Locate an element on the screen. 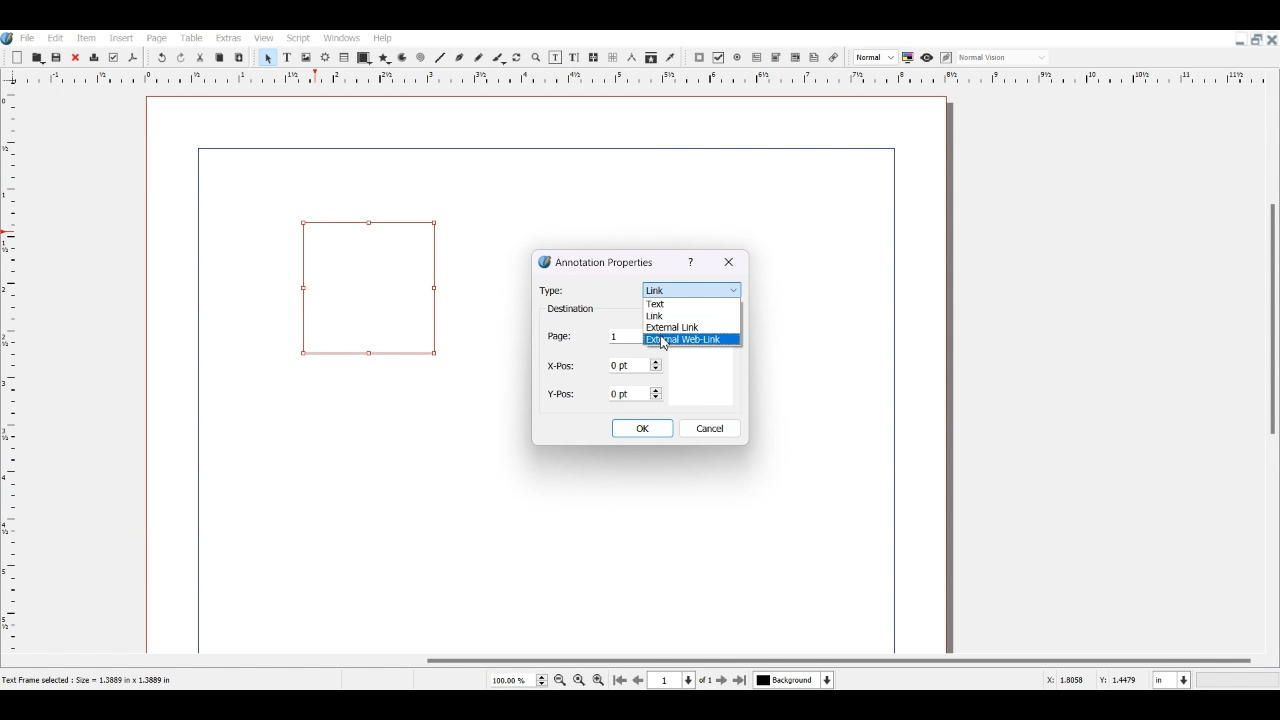 The width and height of the screenshot is (1280, 720). OK is located at coordinates (642, 428).